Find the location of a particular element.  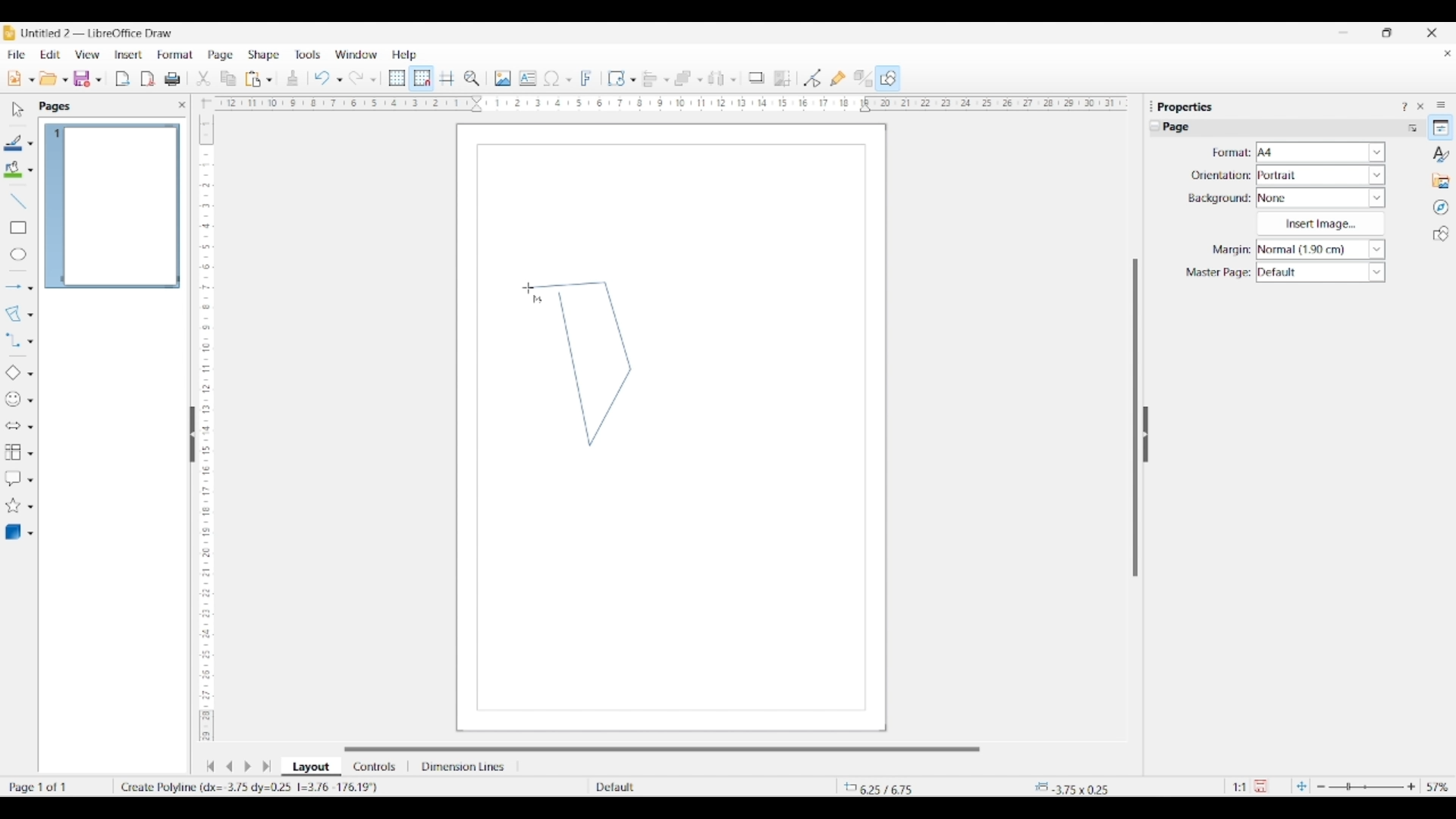

Selected star is located at coordinates (13, 506).